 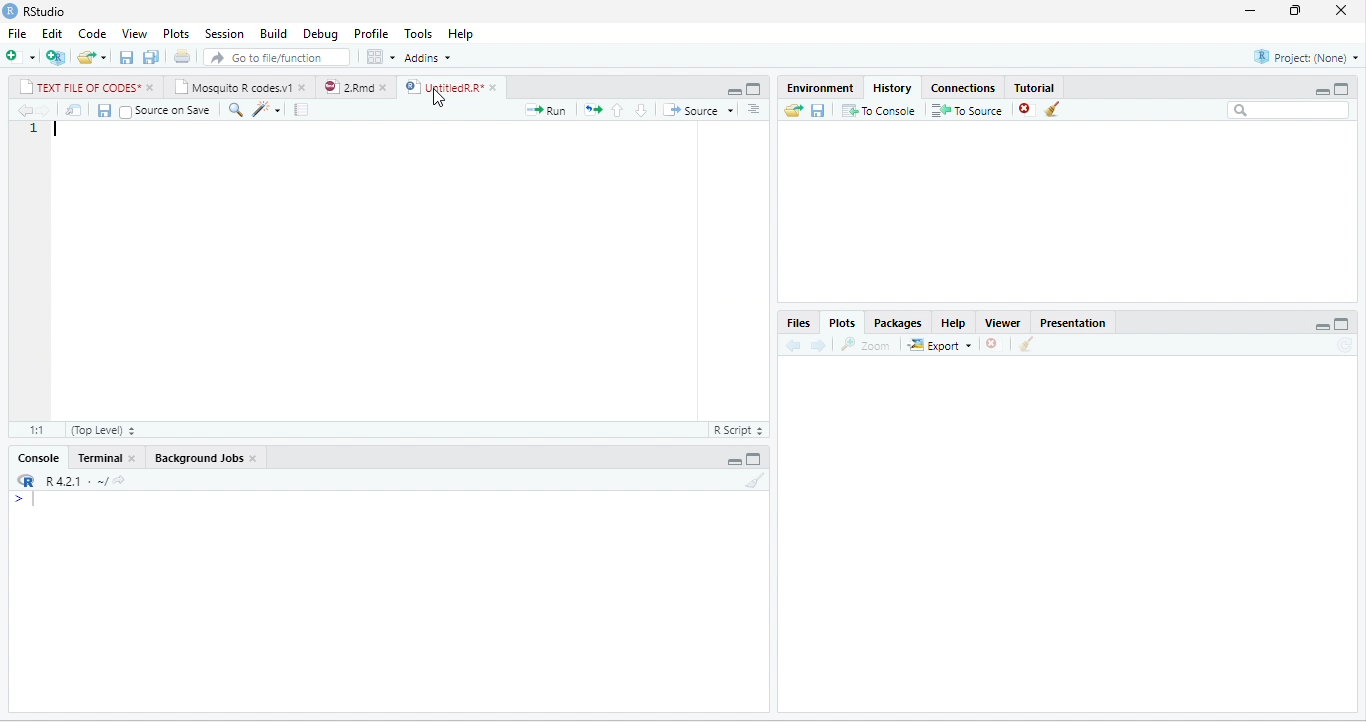 What do you see at coordinates (20, 58) in the screenshot?
I see `new file` at bounding box center [20, 58].